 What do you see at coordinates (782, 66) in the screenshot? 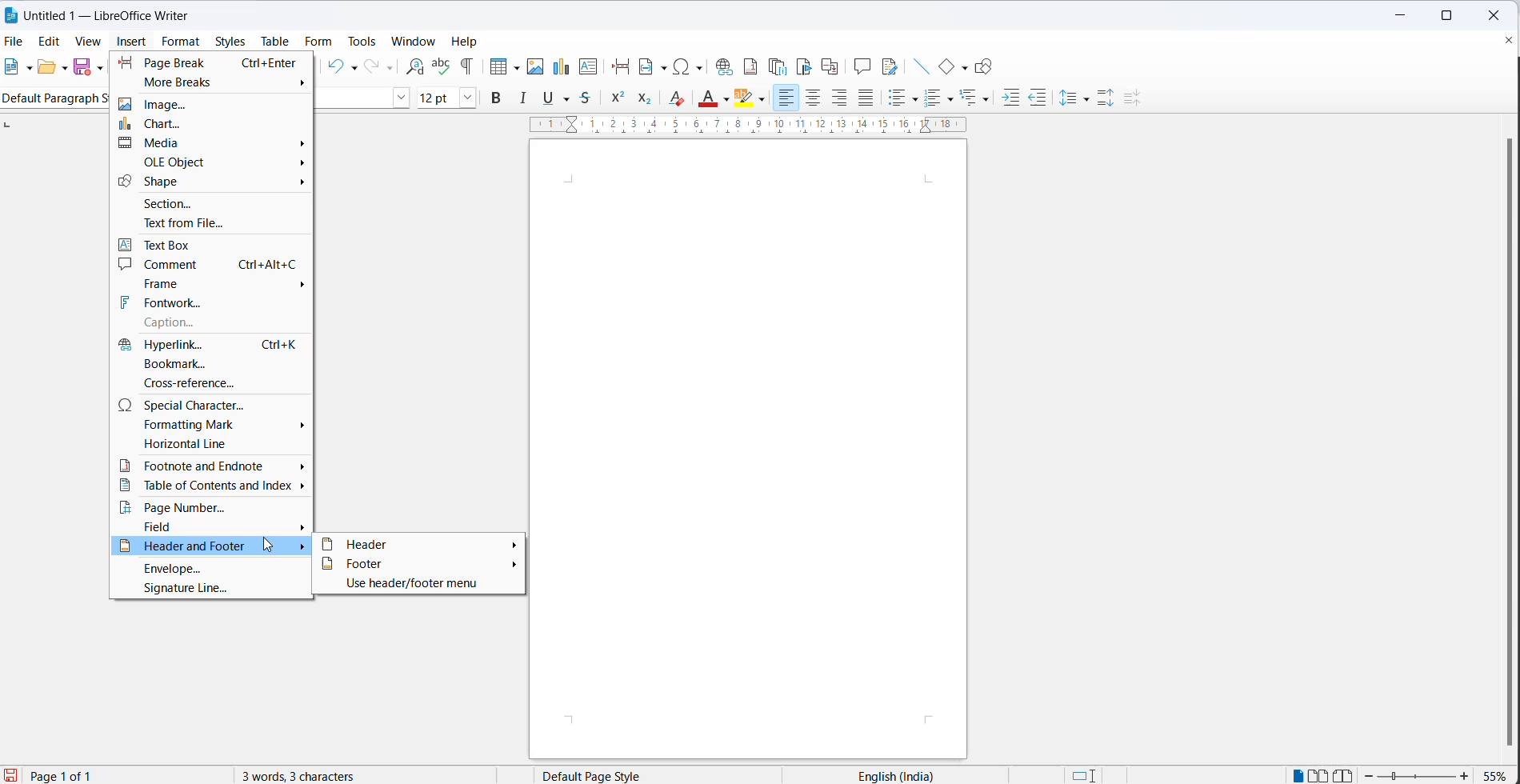
I see `insert endnote` at bounding box center [782, 66].